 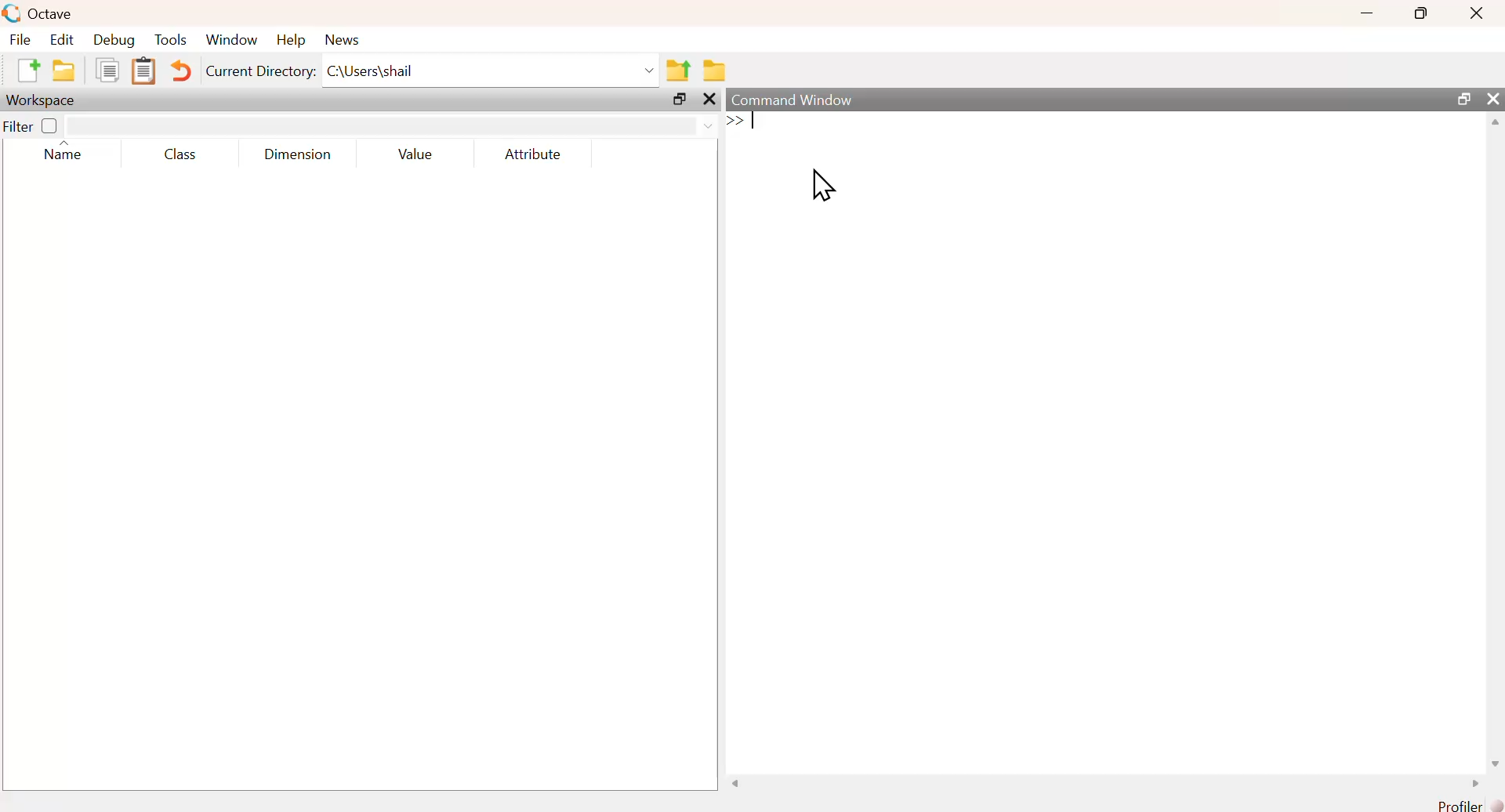 I want to click on Class, so click(x=181, y=154).